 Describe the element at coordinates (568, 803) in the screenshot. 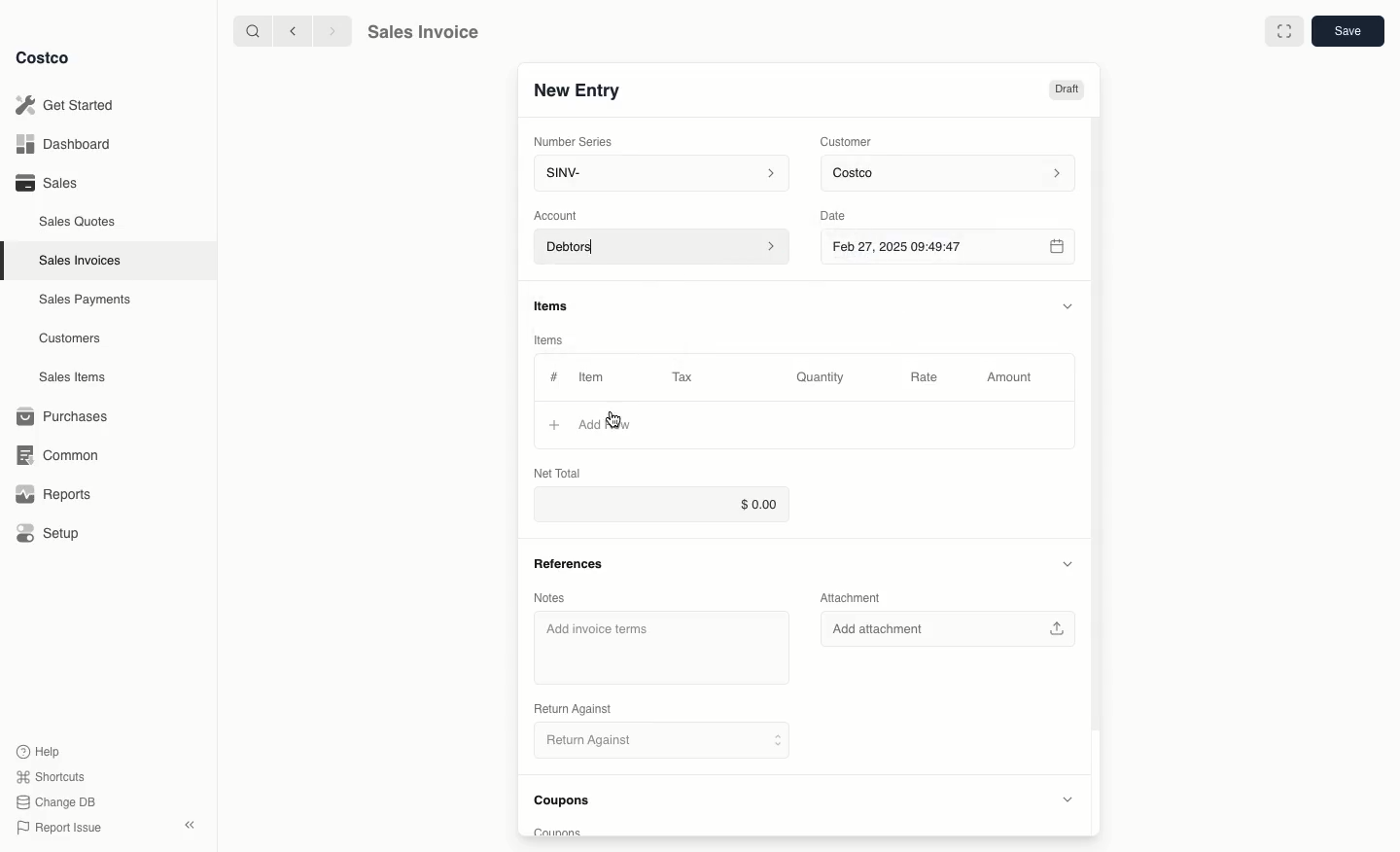

I see `Coupons` at that location.